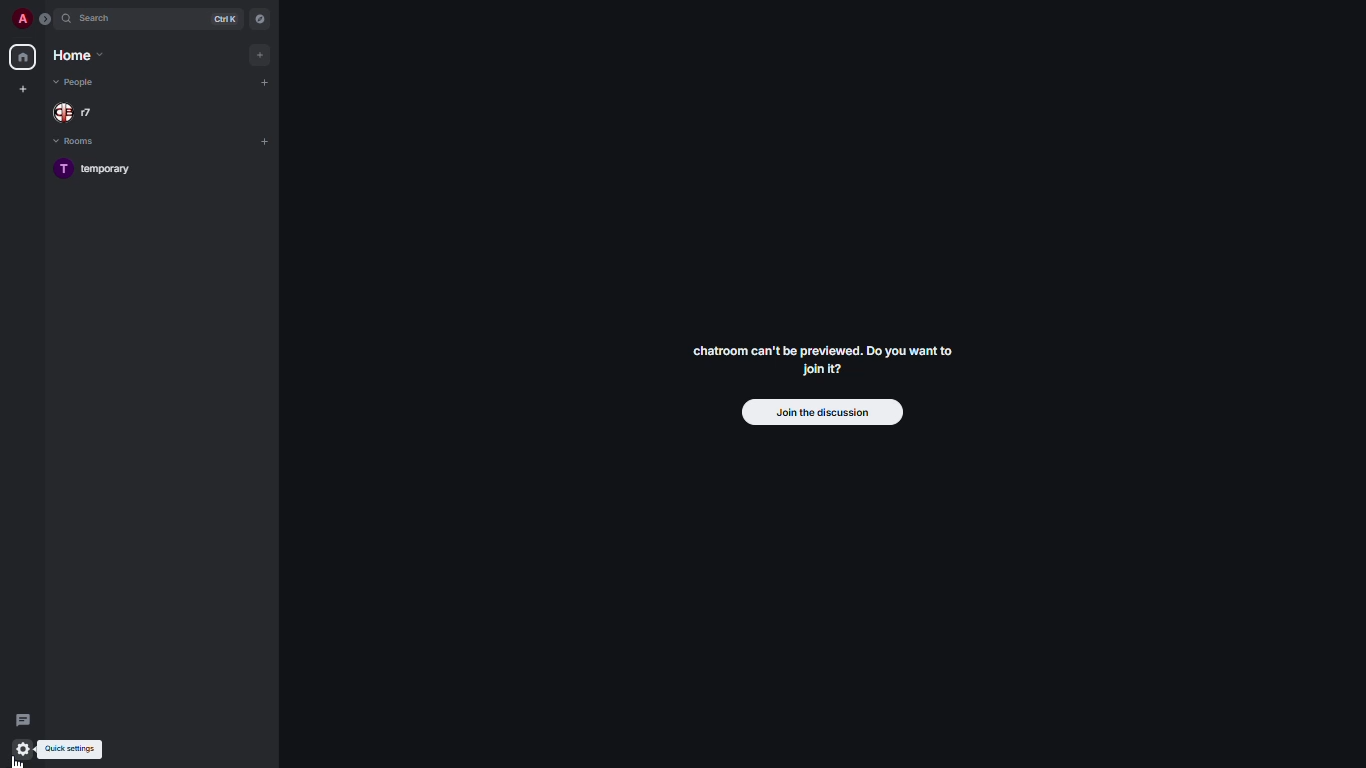 The image size is (1366, 768). Describe the element at coordinates (818, 413) in the screenshot. I see `join the discussion` at that location.